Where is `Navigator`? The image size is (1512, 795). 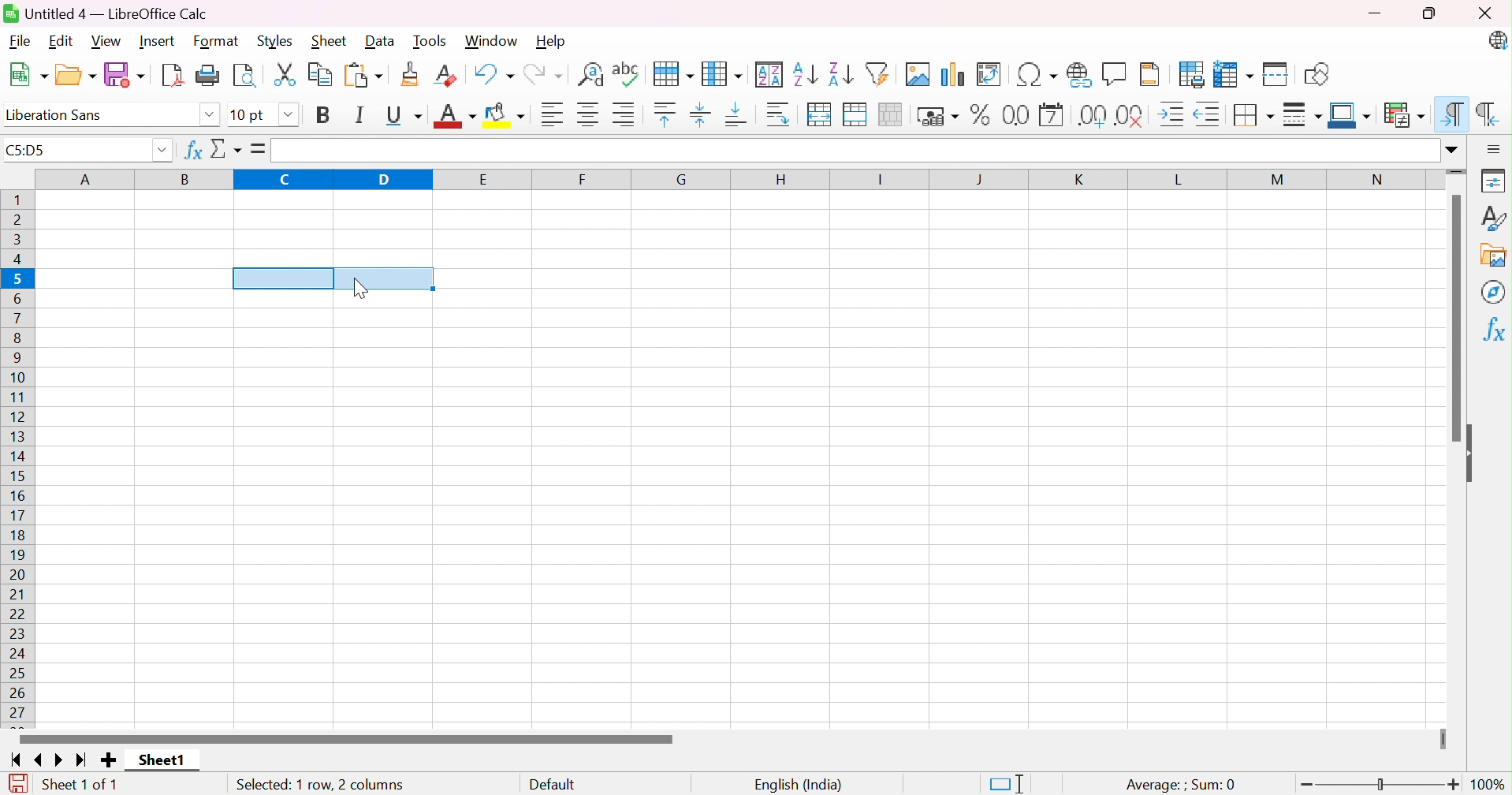
Navigator is located at coordinates (1492, 293).